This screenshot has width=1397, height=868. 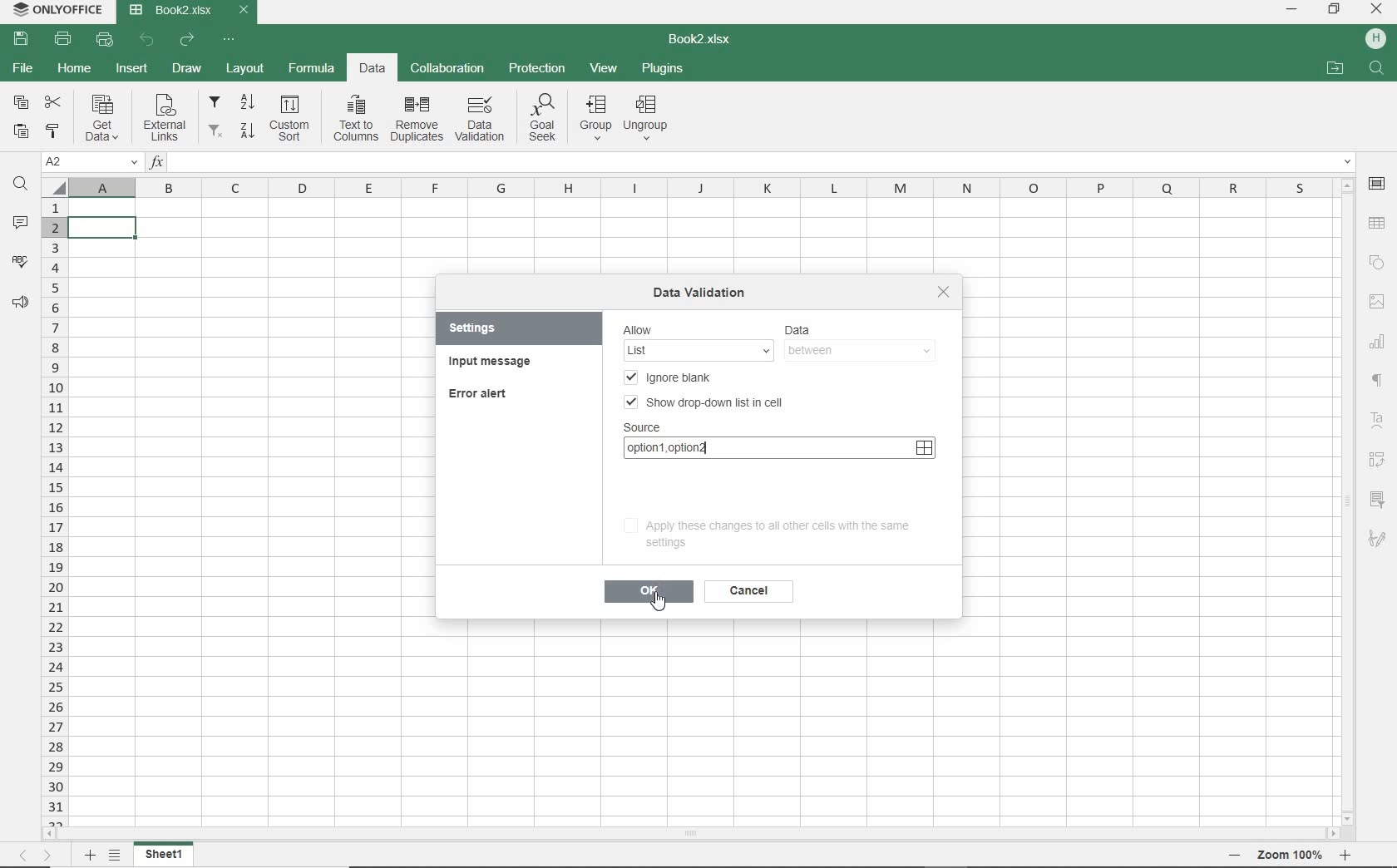 I want to click on cancel, so click(x=748, y=591).